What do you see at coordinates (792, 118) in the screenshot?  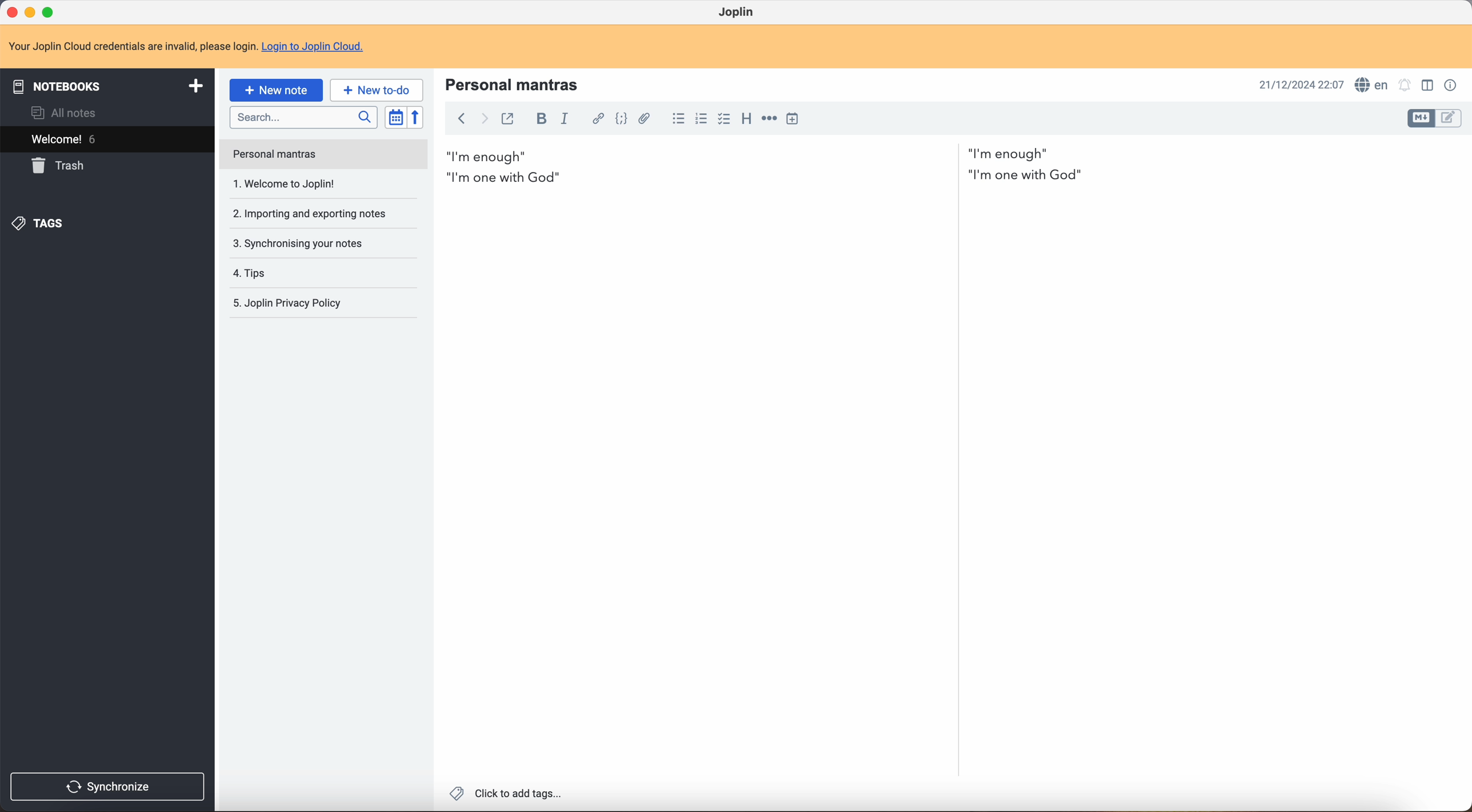 I see `insert time` at bounding box center [792, 118].